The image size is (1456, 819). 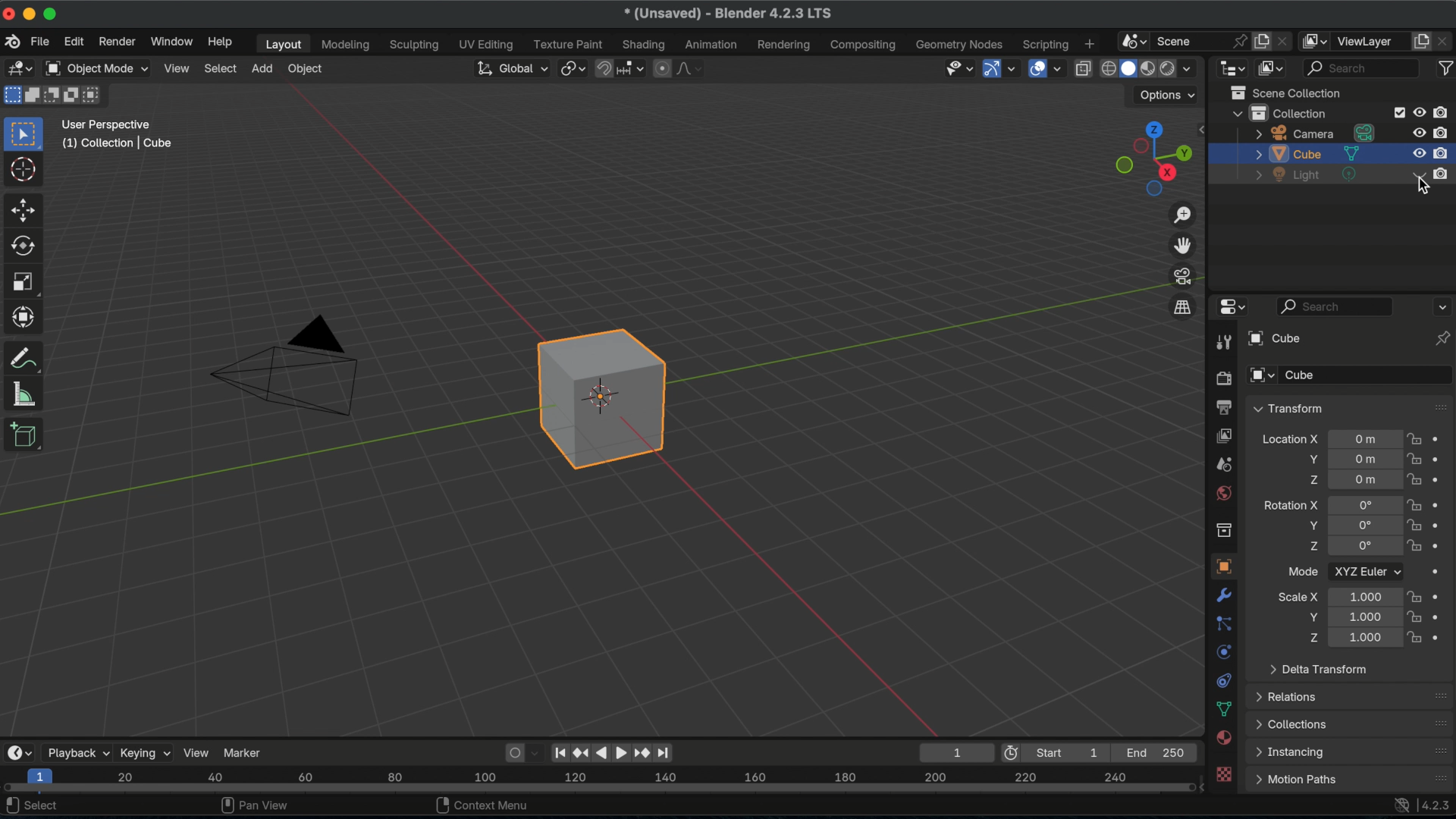 I want to click on disable in renders, so click(x=1442, y=173).